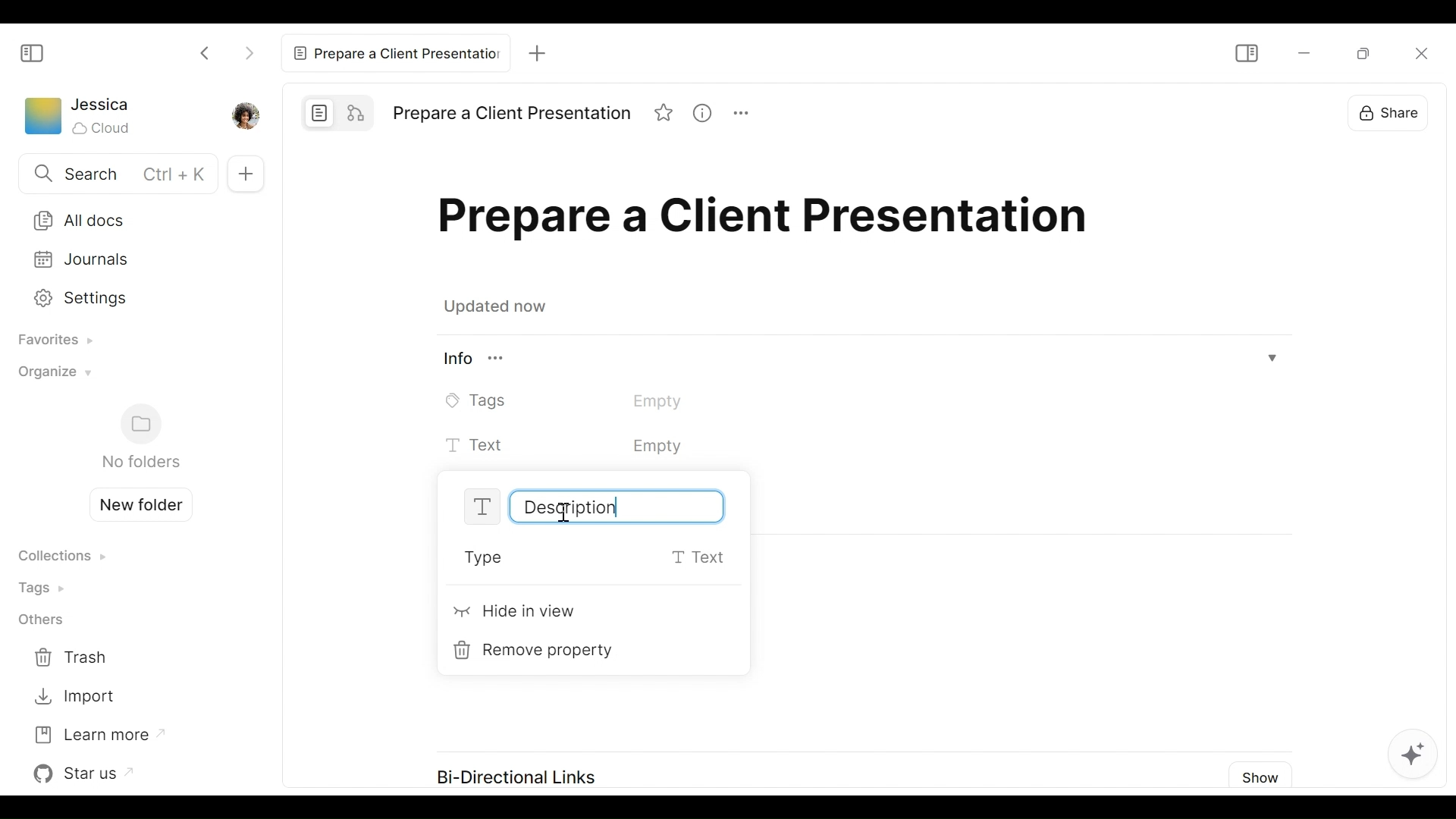  I want to click on Minimize, so click(1368, 55).